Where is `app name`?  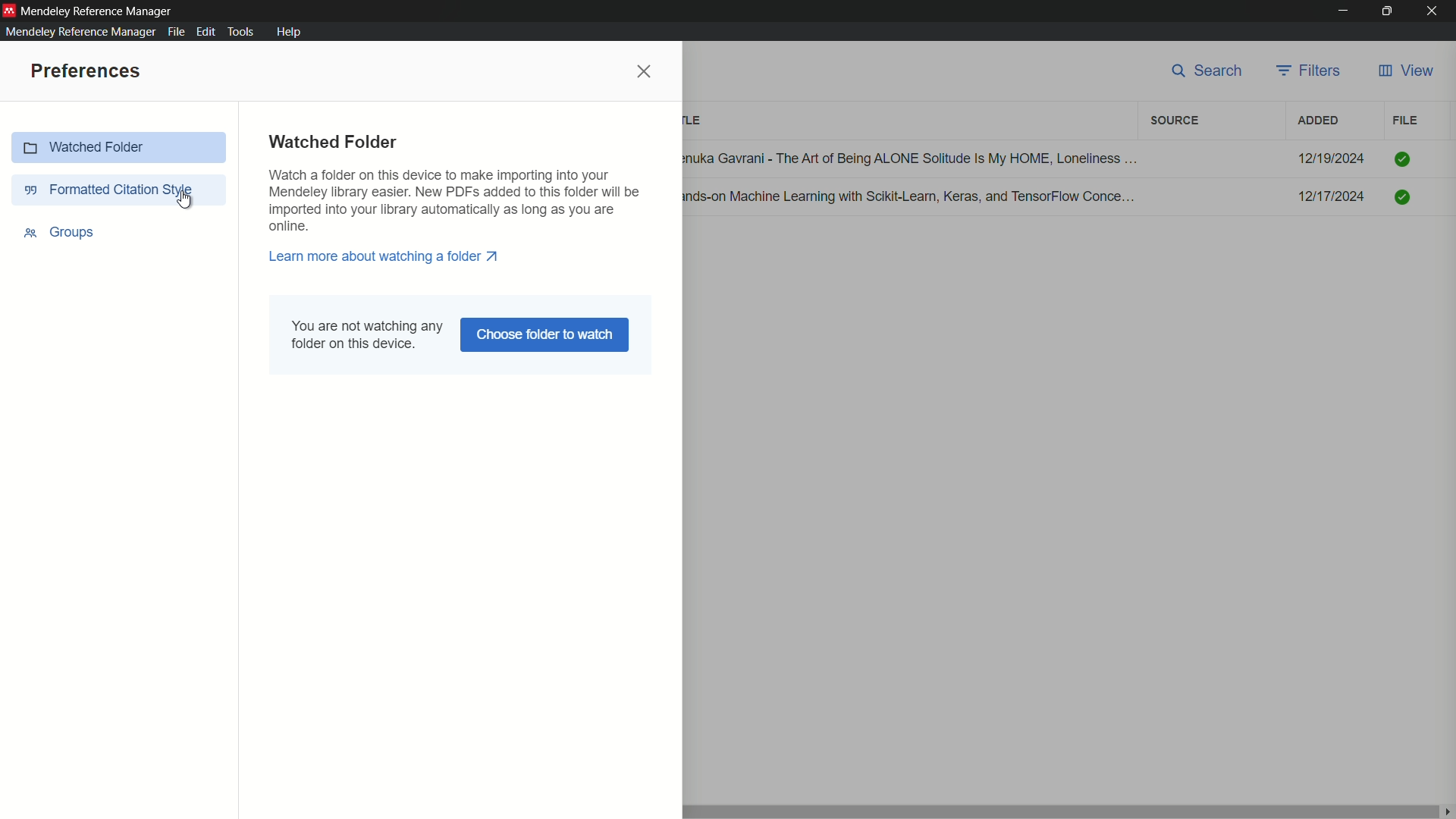
app name is located at coordinates (99, 11).